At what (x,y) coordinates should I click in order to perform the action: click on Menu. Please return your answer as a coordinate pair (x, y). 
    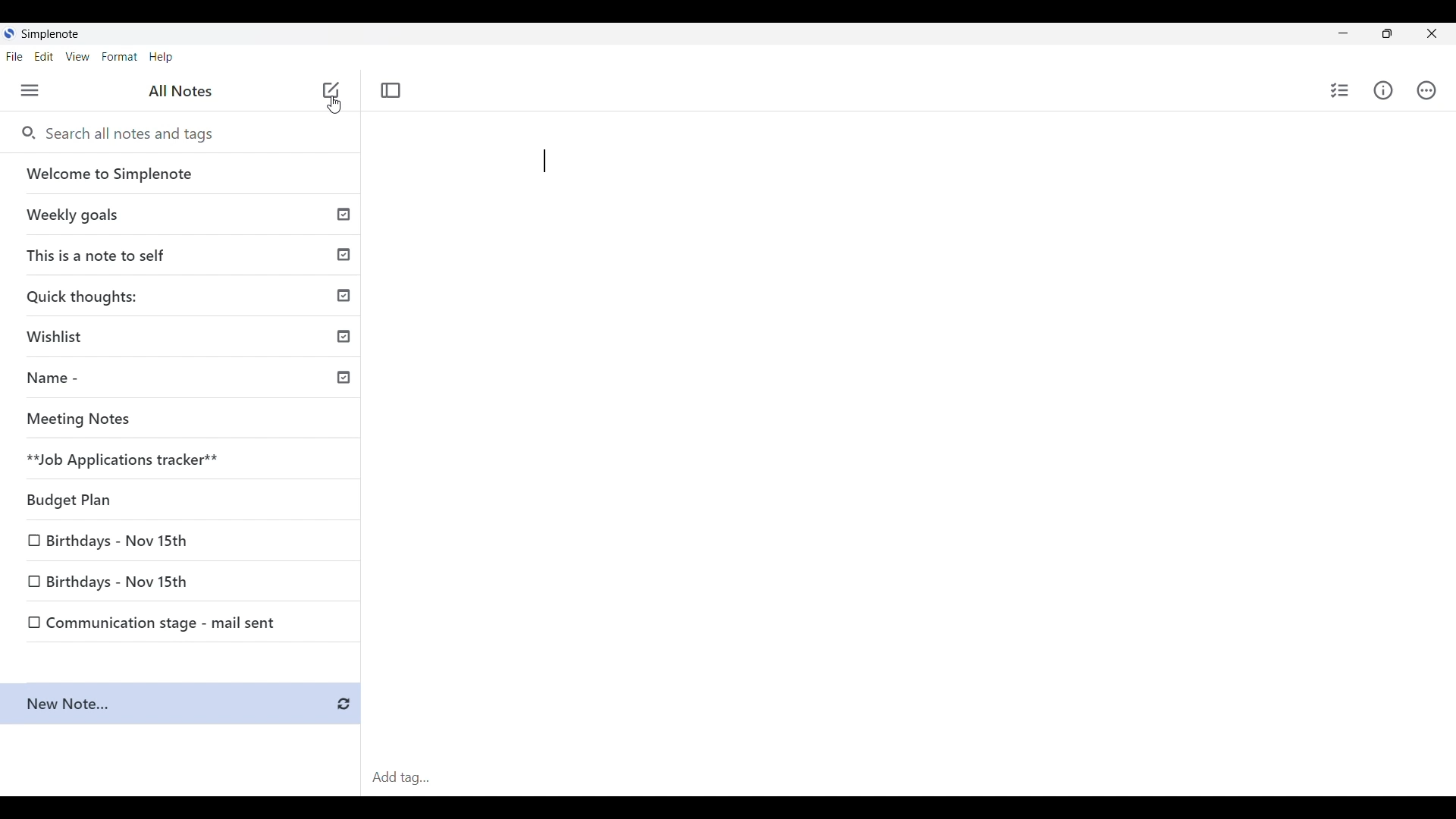
    Looking at the image, I should click on (30, 90).